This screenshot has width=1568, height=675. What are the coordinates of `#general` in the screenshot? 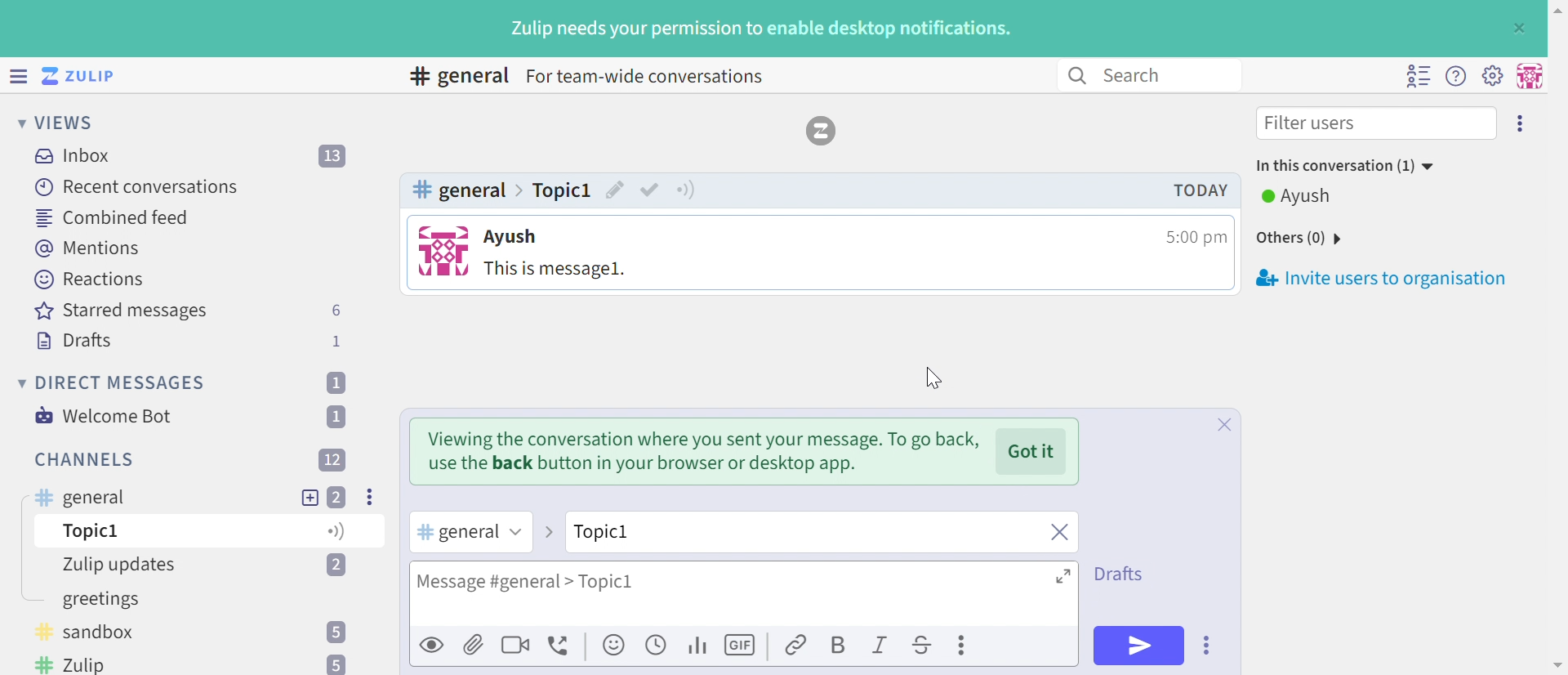 It's located at (455, 533).